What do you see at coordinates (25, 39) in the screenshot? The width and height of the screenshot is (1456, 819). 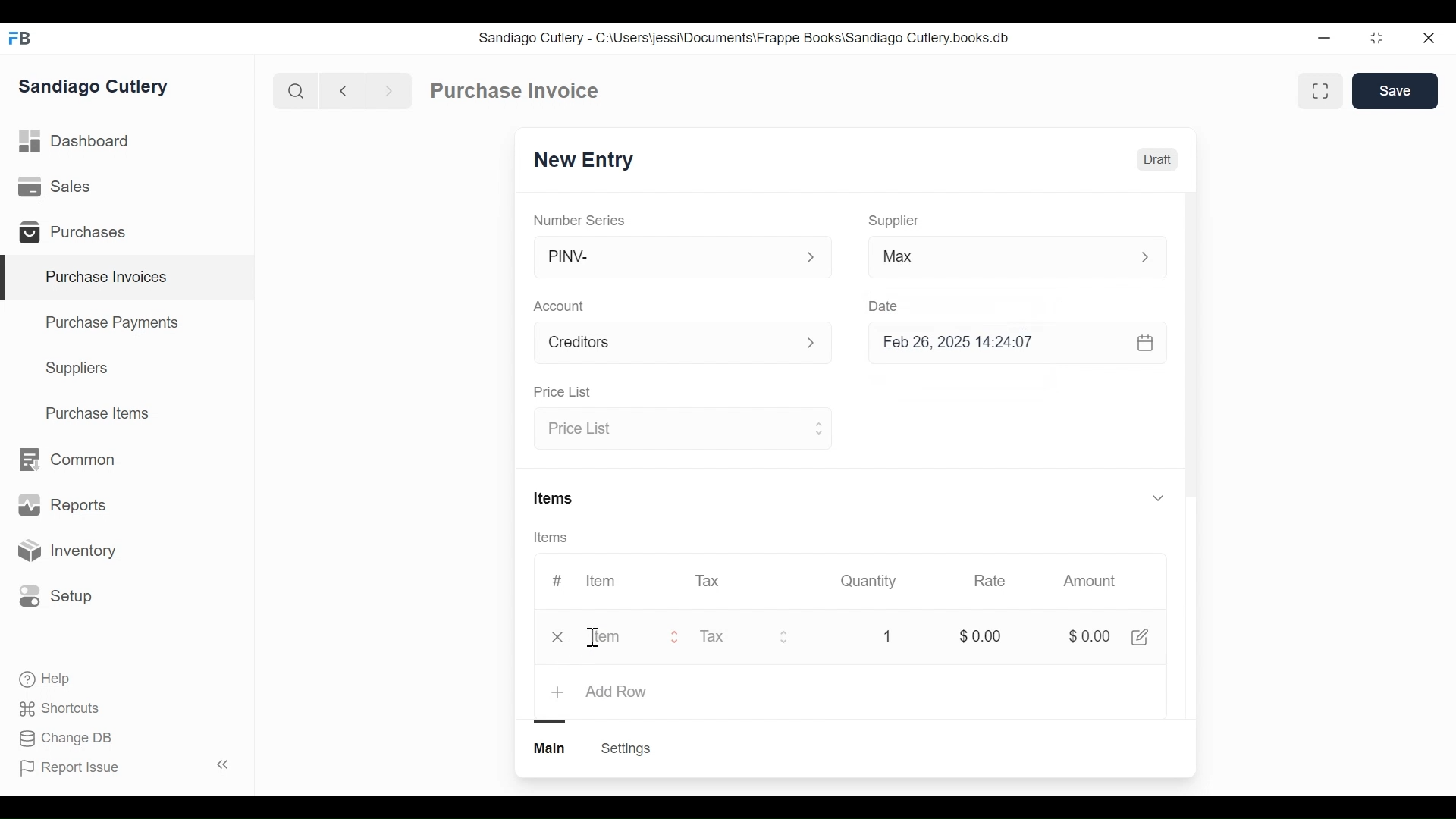 I see `Frappe Books Desktop icon` at bounding box center [25, 39].